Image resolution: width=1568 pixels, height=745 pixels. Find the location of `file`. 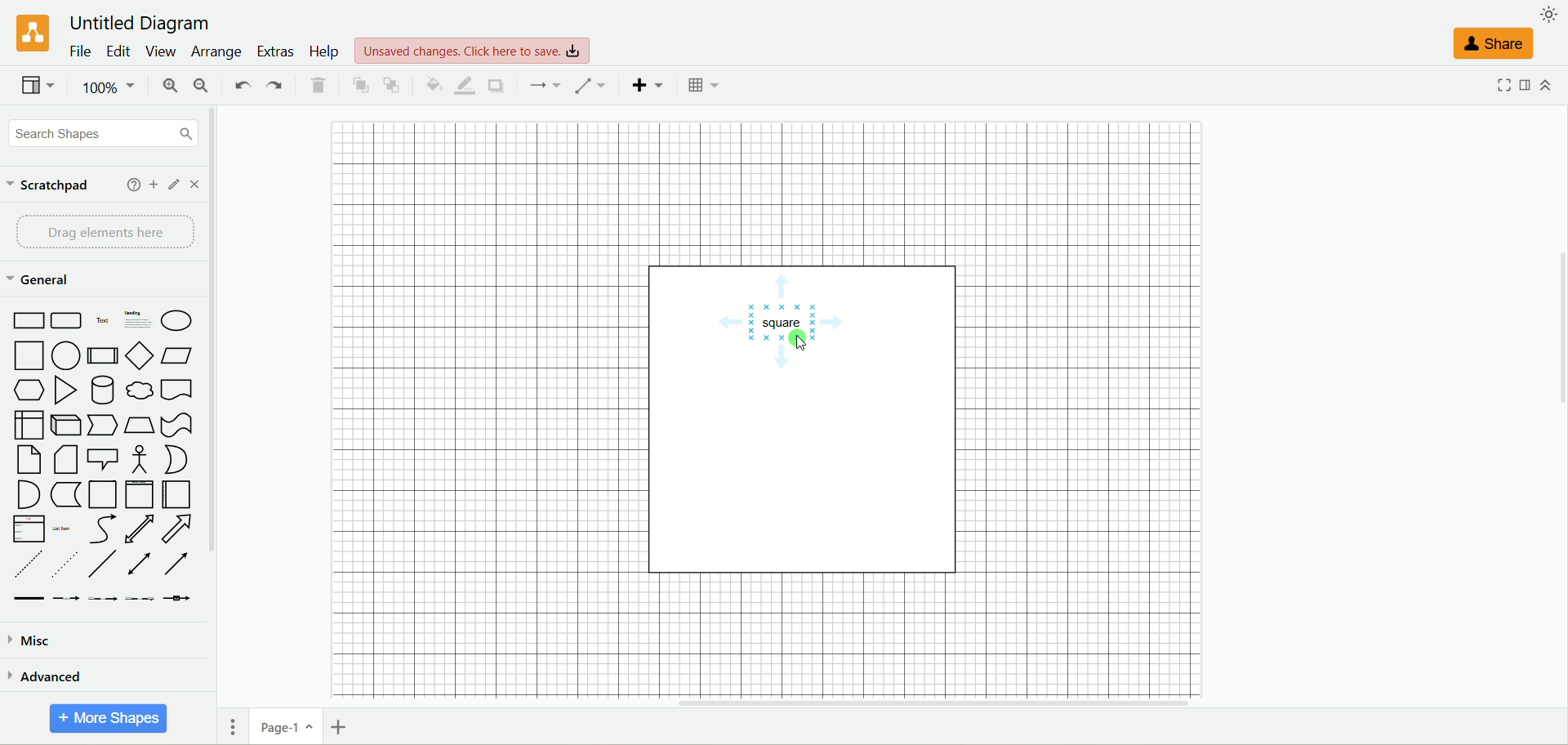

file is located at coordinates (82, 52).